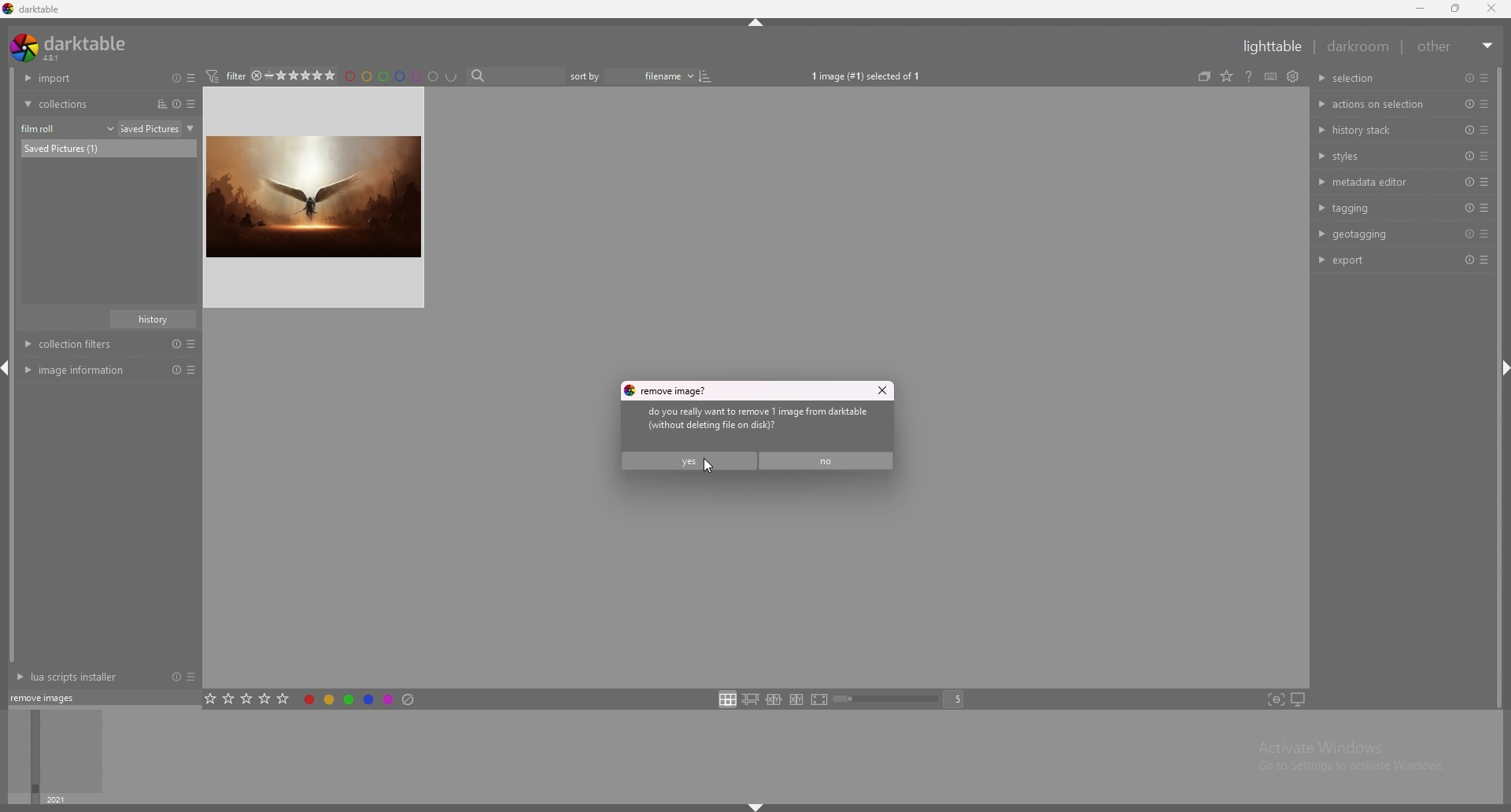 This screenshot has height=812, width=1511. I want to click on film roll, so click(68, 128).